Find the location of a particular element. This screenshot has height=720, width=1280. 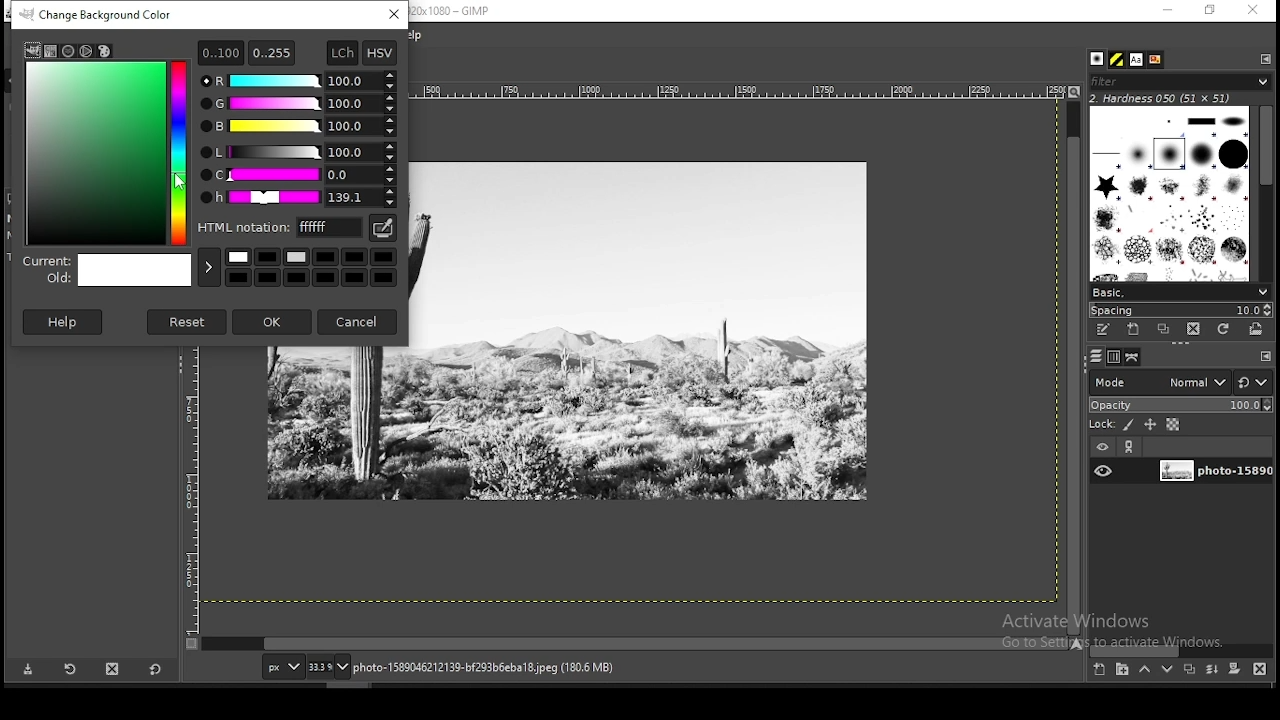

switch to other modes is located at coordinates (1252, 383).